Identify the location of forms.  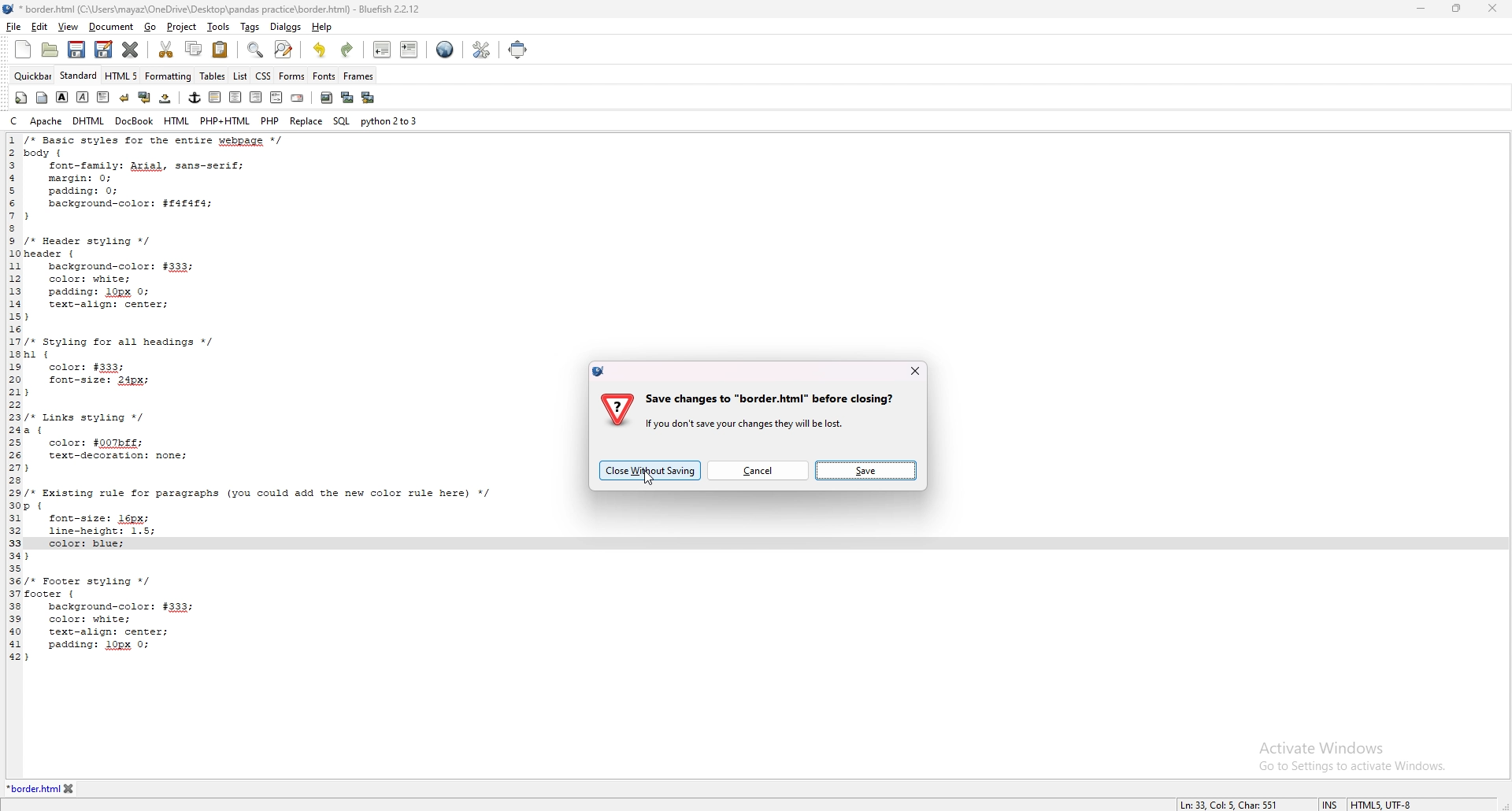
(292, 76).